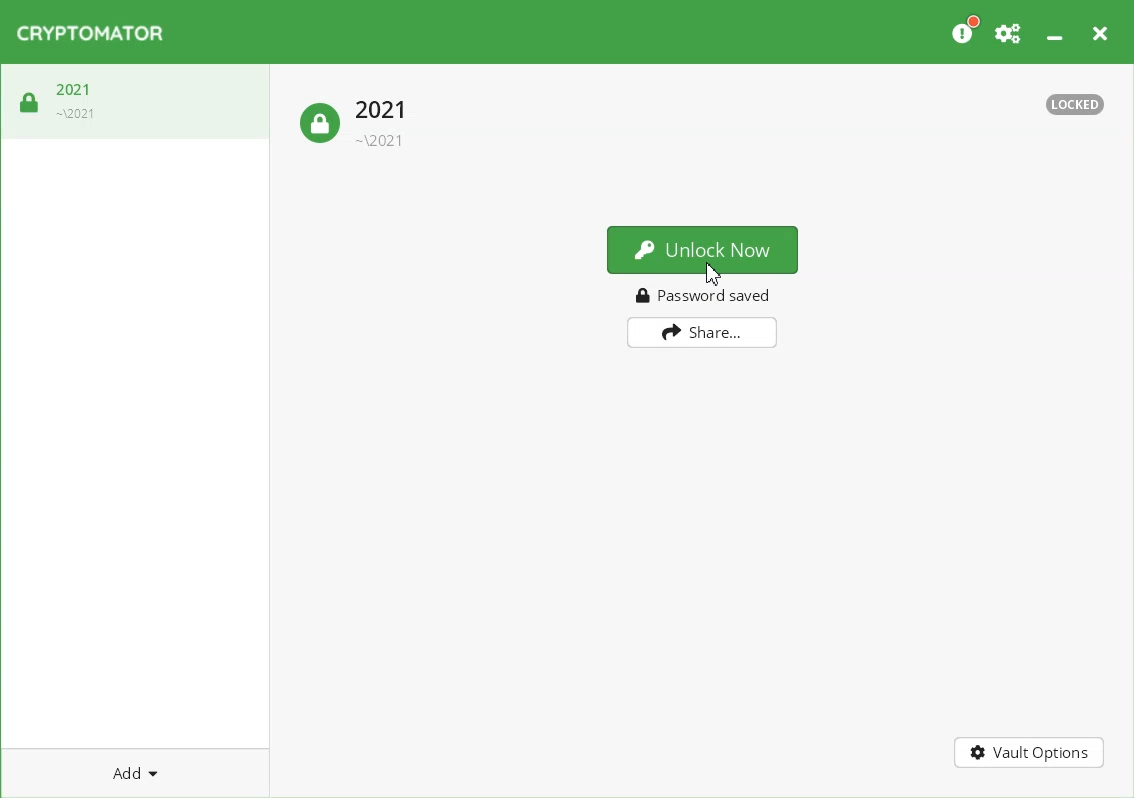 This screenshot has height=798, width=1134. Describe the element at coordinates (139, 763) in the screenshot. I see `Add` at that location.